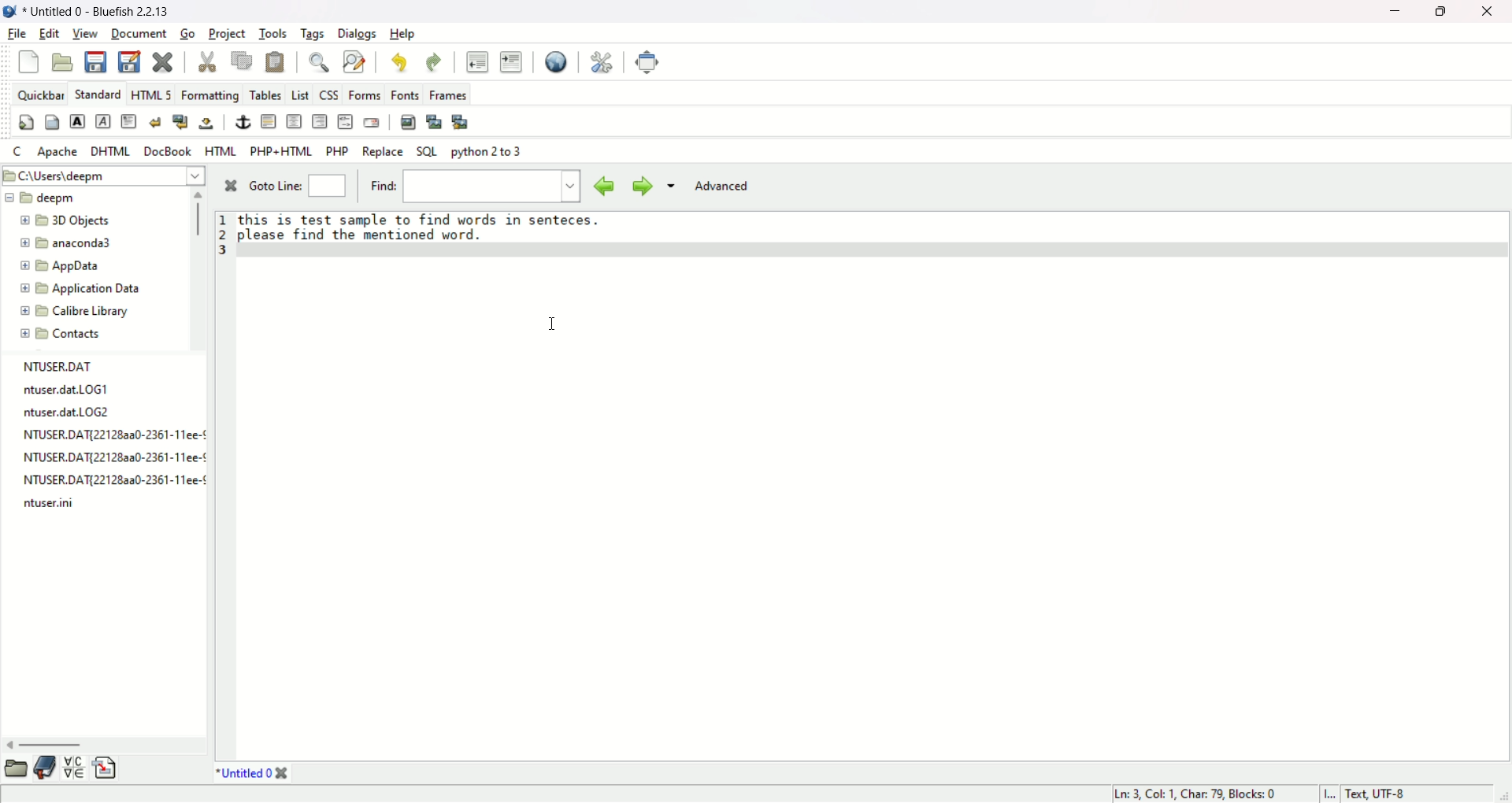  What do you see at coordinates (370, 122) in the screenshot?
I see `email` at bounding box center [370, 122].